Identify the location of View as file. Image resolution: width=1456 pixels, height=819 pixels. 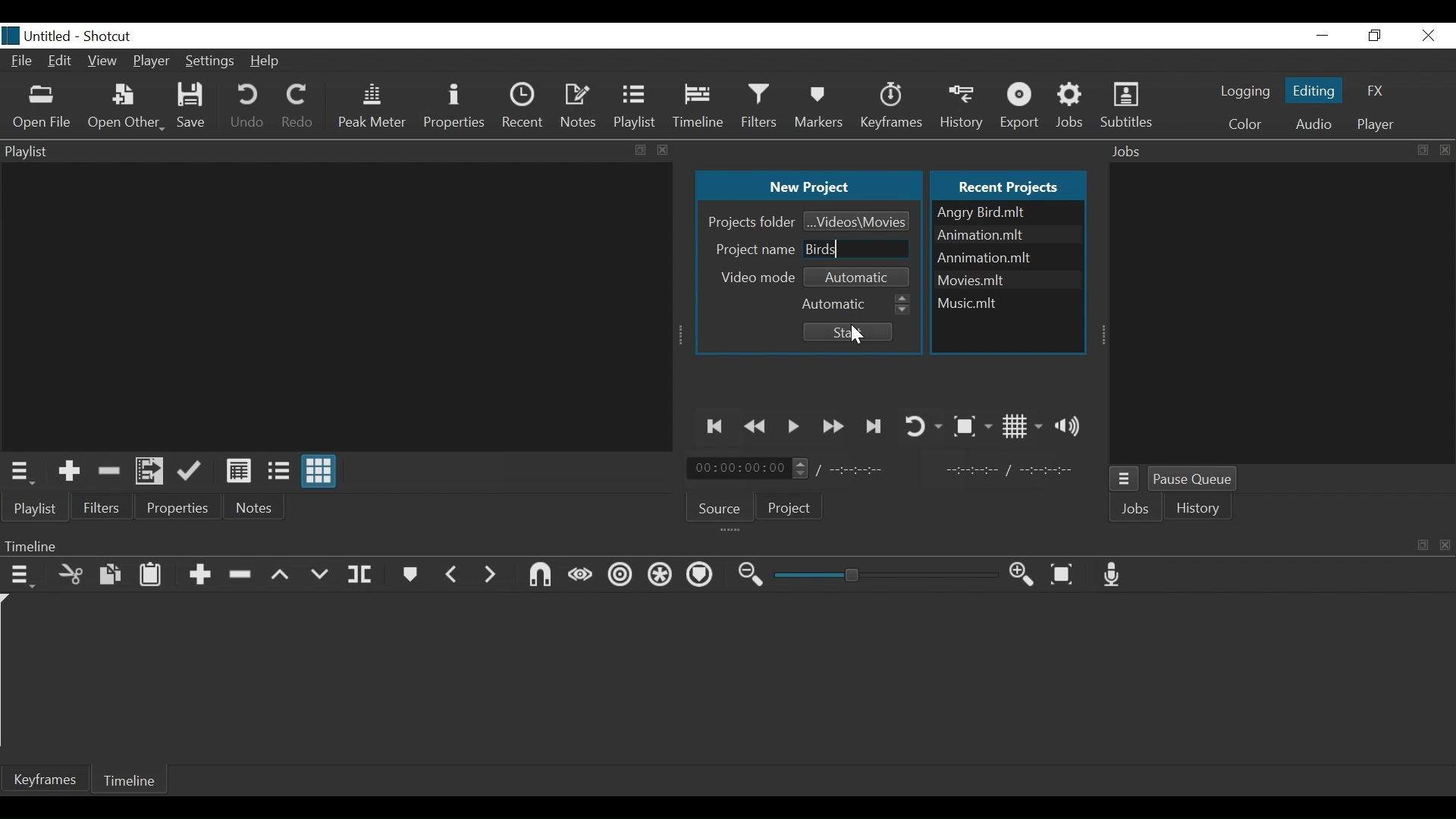
(278, 471).